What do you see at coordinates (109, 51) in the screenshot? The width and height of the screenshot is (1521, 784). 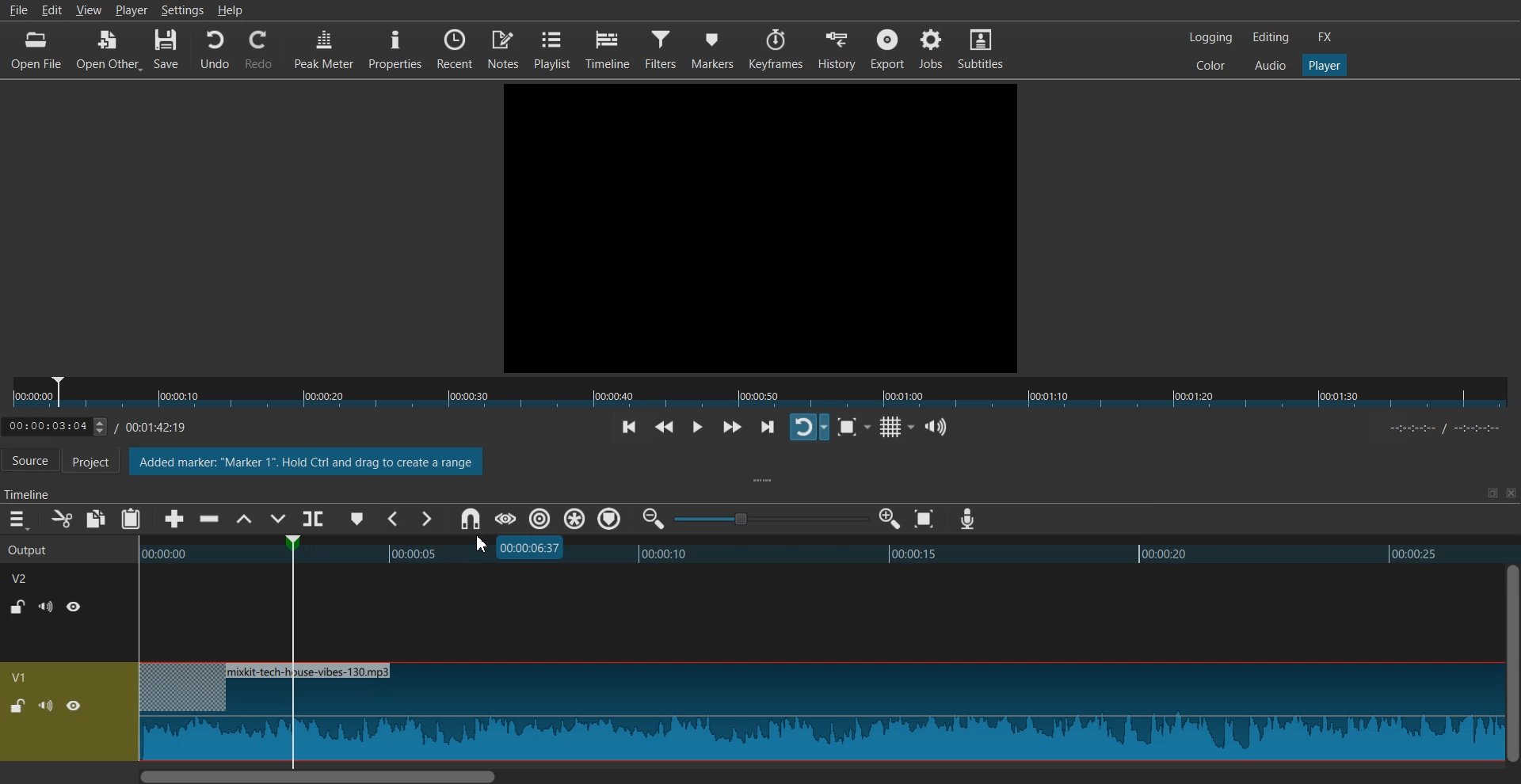 I see `Open Other` at bounding box center [109, 51].